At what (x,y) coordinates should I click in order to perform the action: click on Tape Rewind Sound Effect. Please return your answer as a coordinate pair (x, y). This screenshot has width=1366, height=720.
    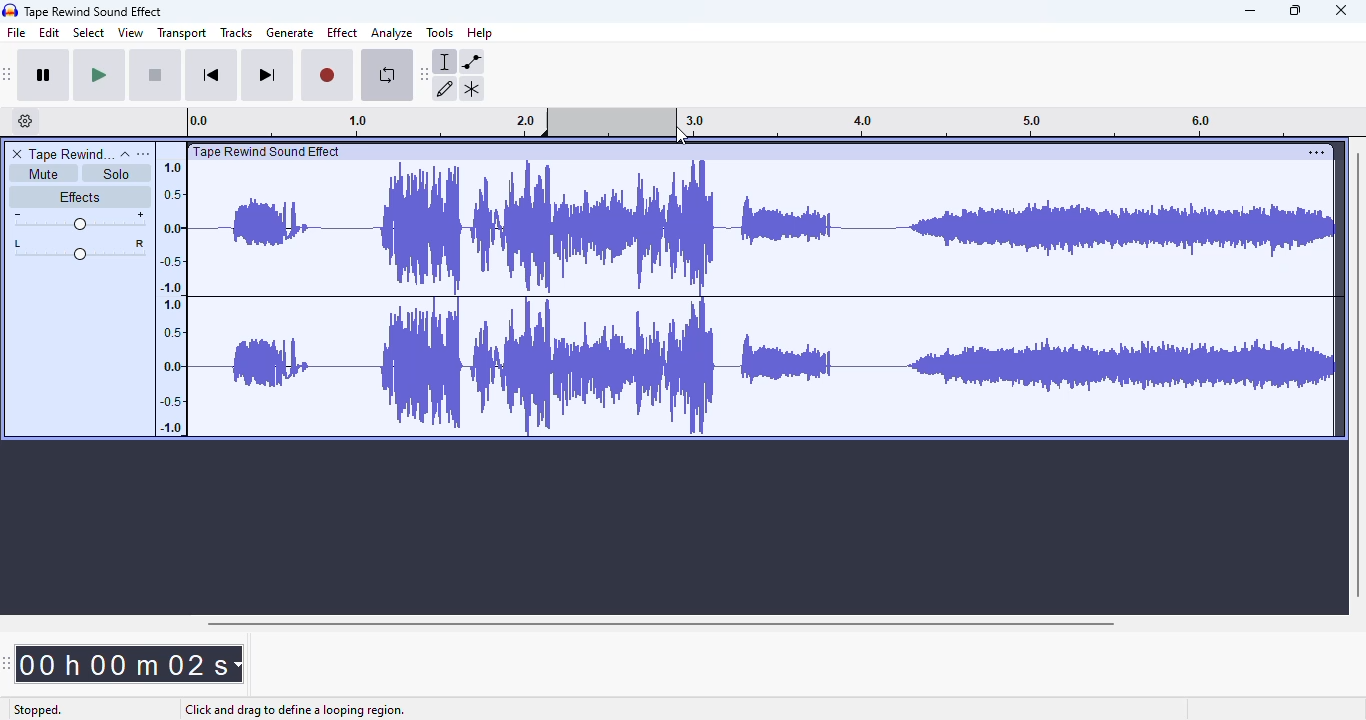
    Looking at the image, I should click on (101, 11).